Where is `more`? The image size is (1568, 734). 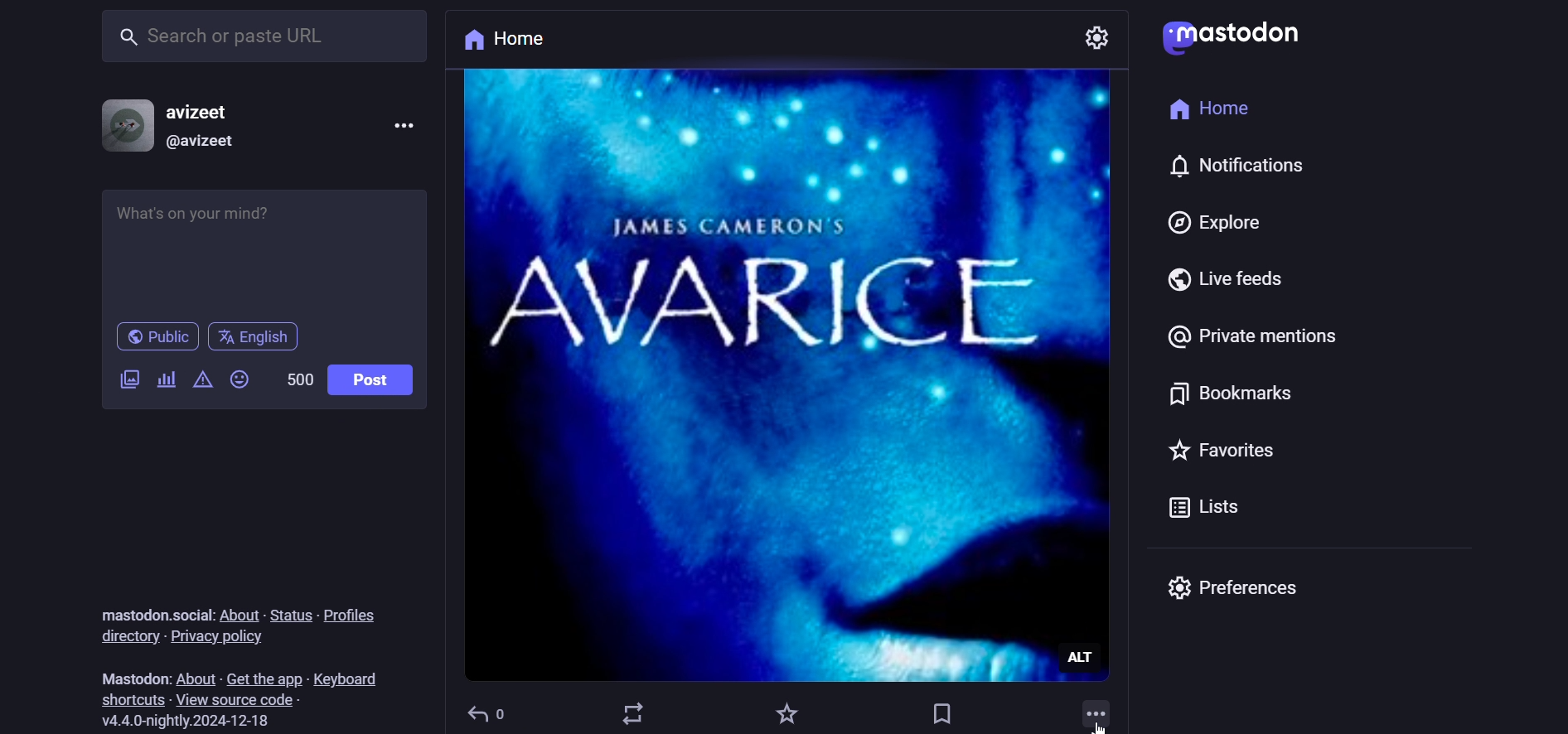
more is located at coordinates (410, 124).